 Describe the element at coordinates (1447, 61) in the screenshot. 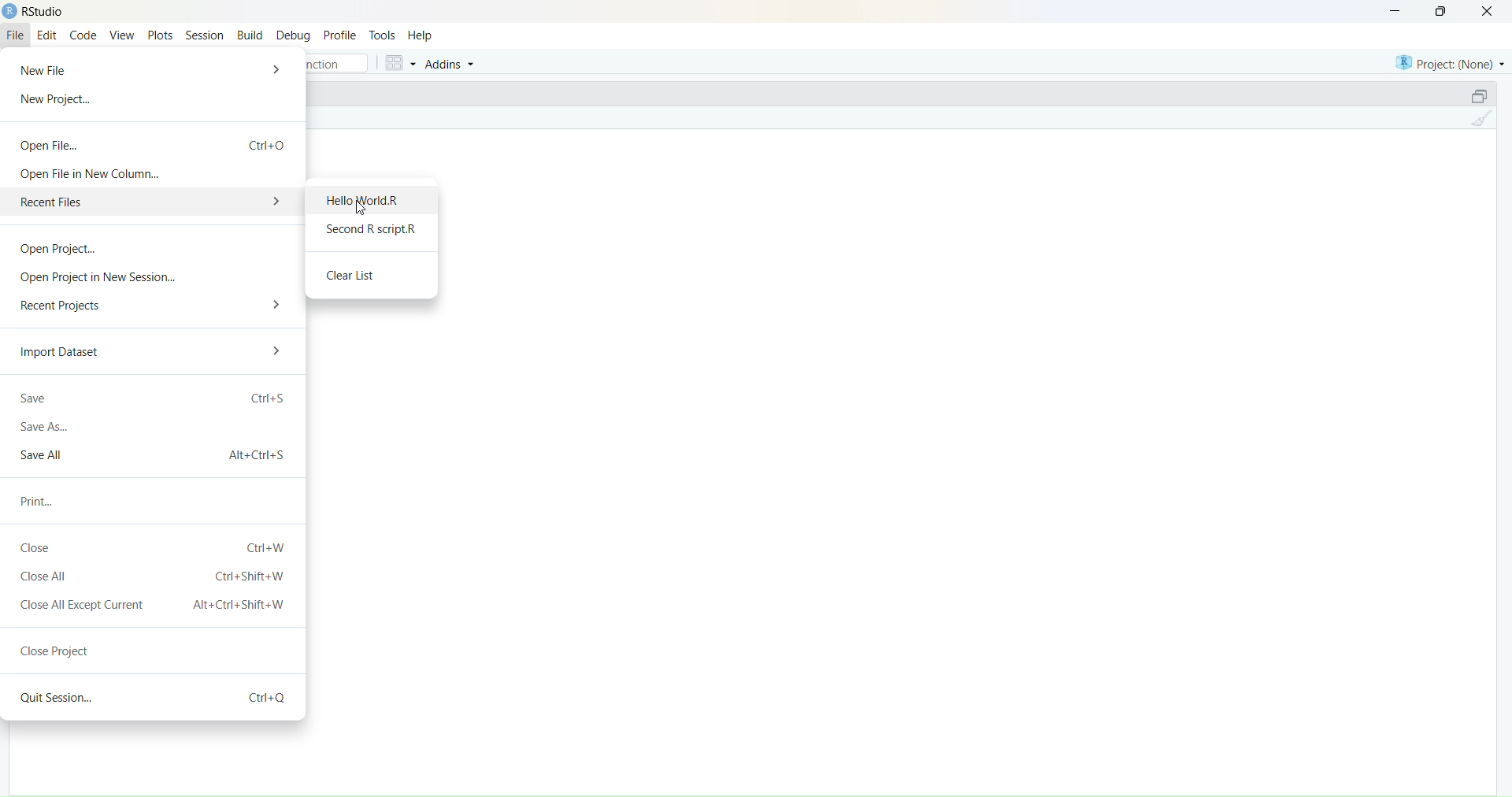

I see `Project (None)` at that location.